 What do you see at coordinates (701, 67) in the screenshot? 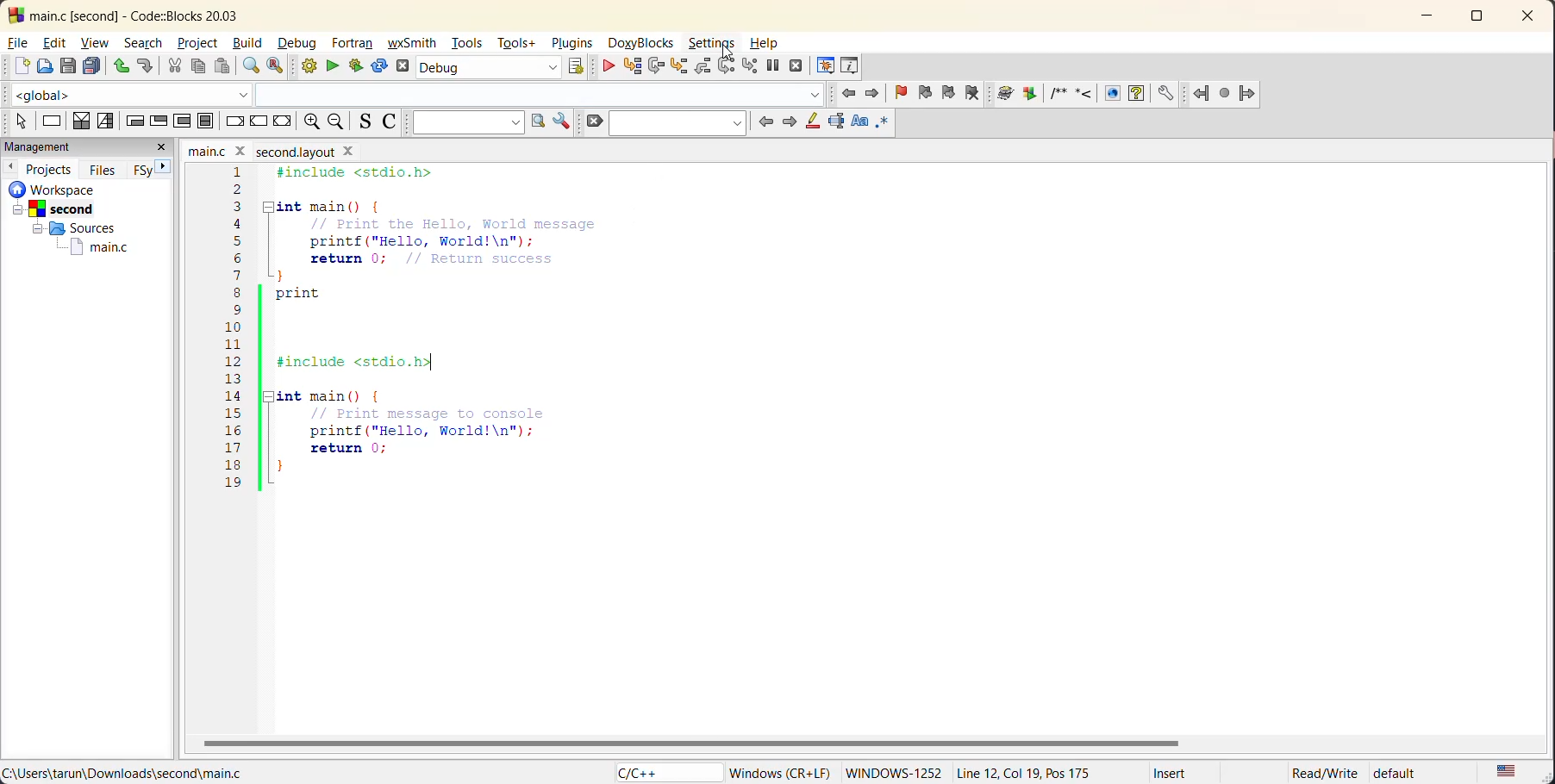
I see `step out` at bounding box center [701, 67].